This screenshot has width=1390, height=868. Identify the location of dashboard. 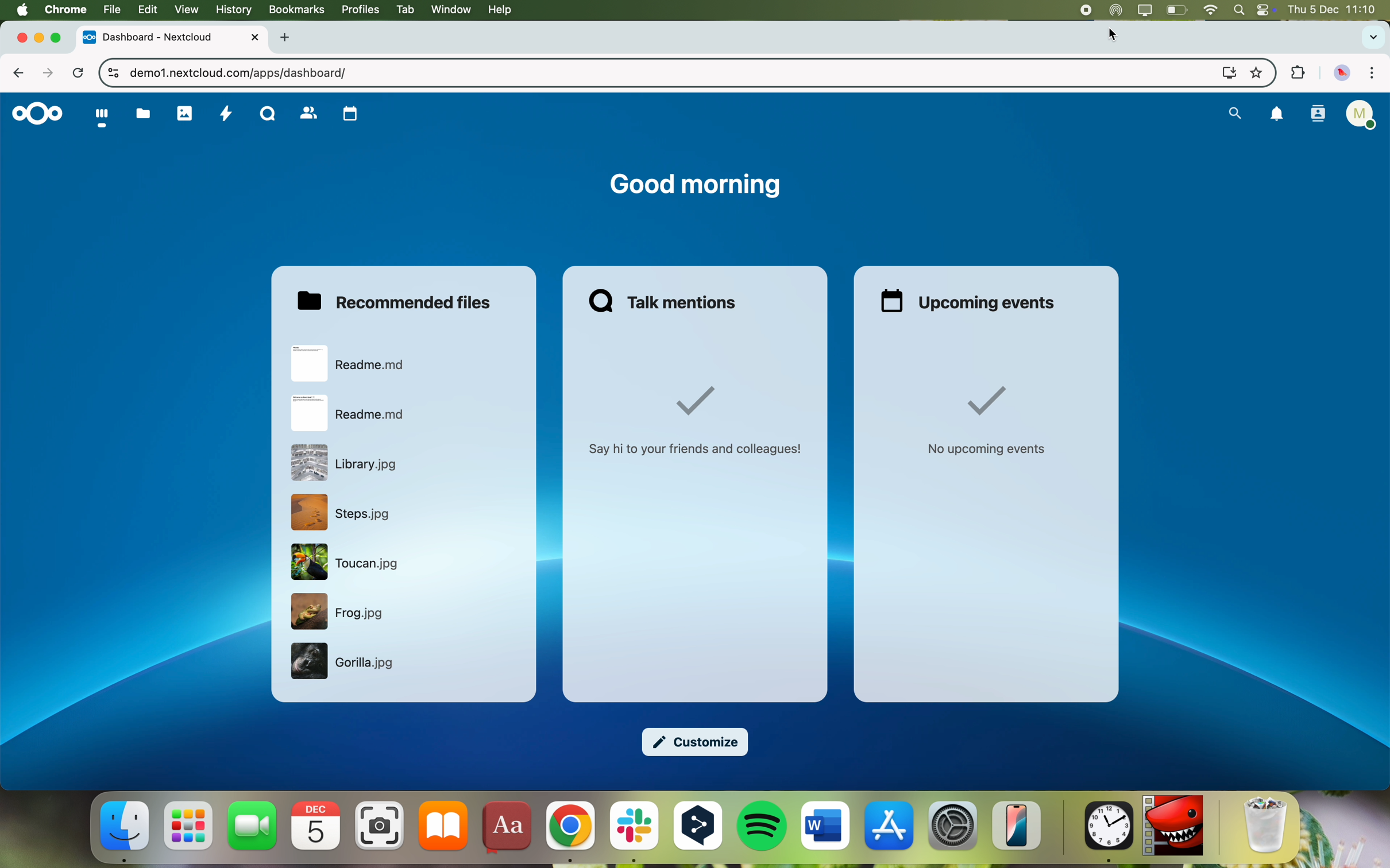
(100, 118).